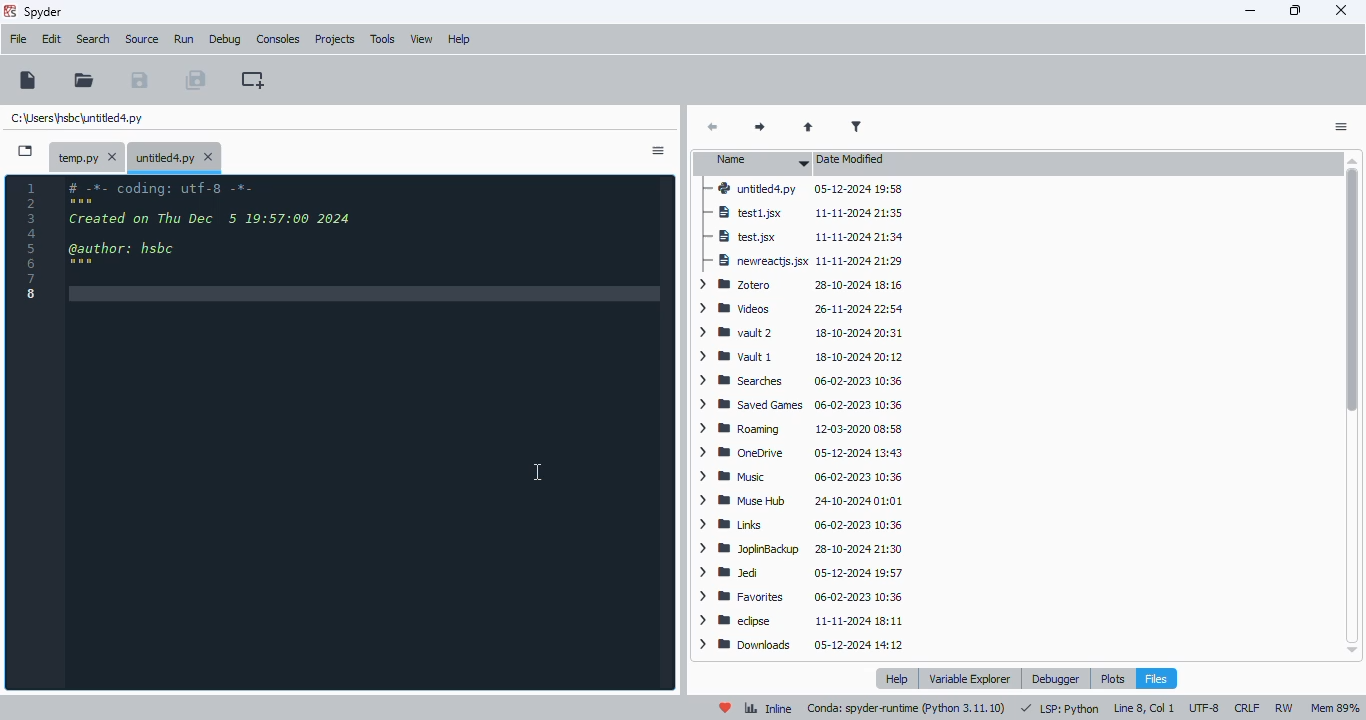 The width and height of the screenshot is (1366, 720). I want to click on variable explorer, so click(970, 679).